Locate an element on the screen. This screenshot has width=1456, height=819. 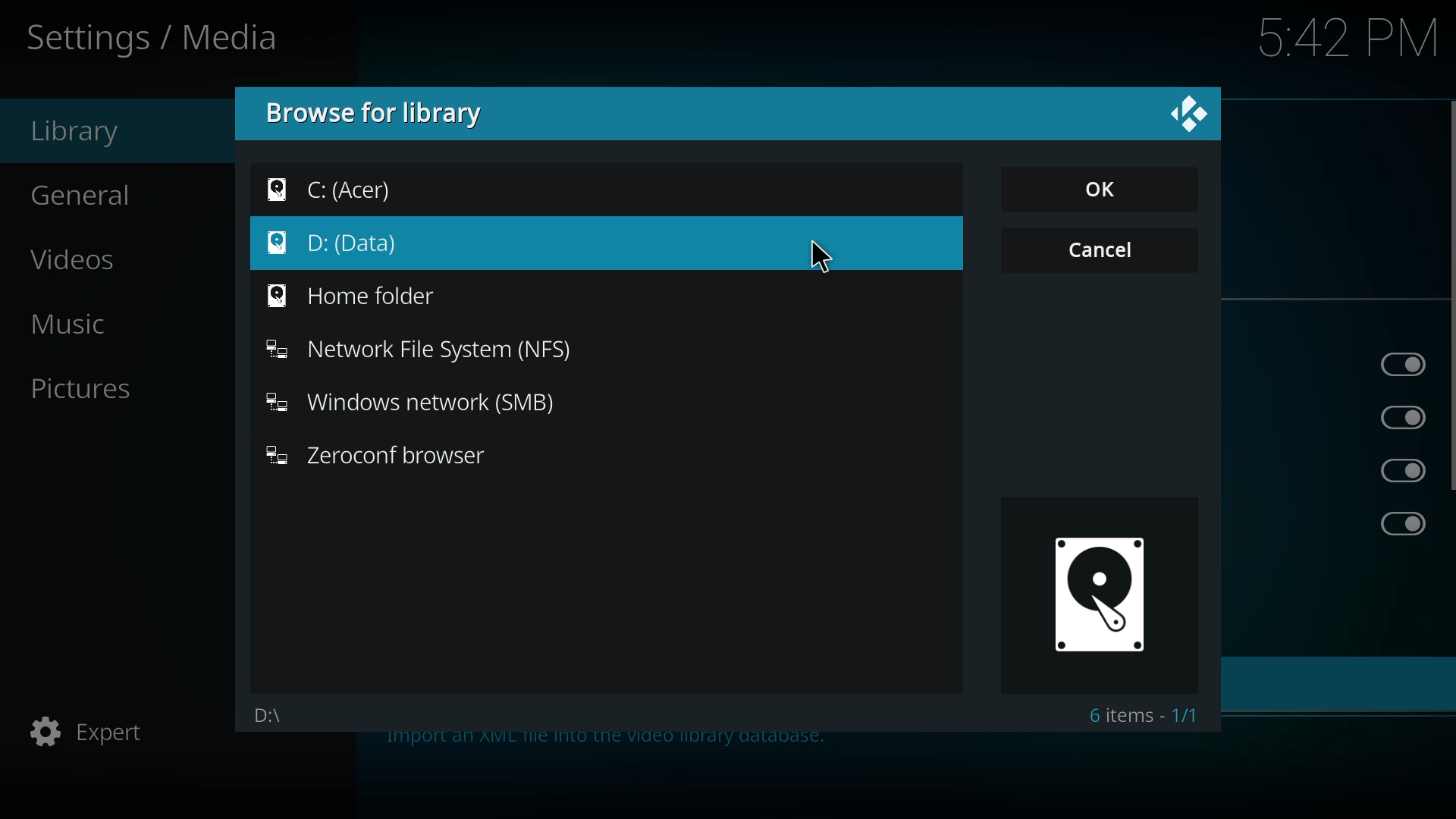
d is located at coordinates (338, 242).